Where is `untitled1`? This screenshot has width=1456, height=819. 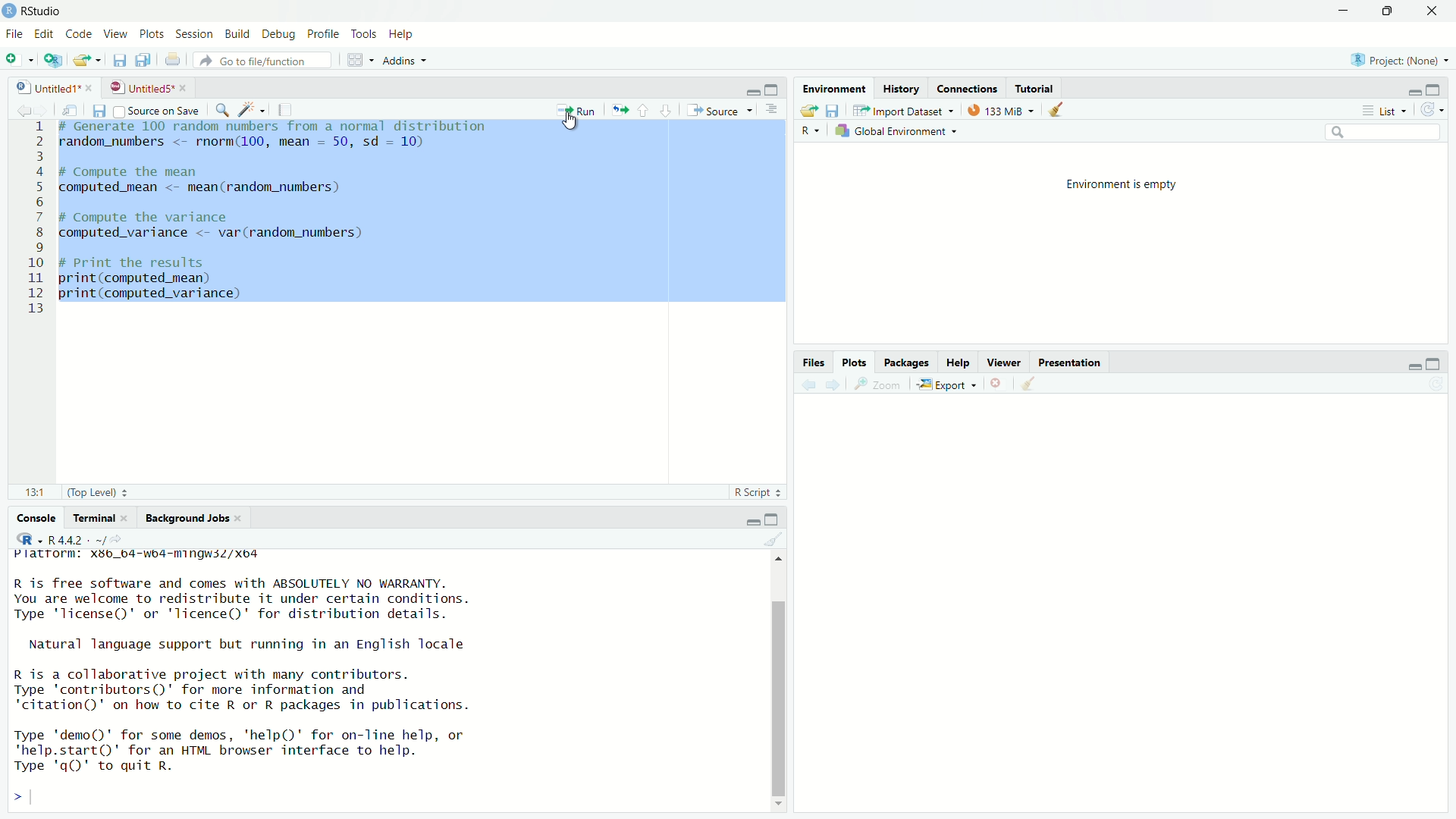
untitled1 is located at coordinates (39, 86).